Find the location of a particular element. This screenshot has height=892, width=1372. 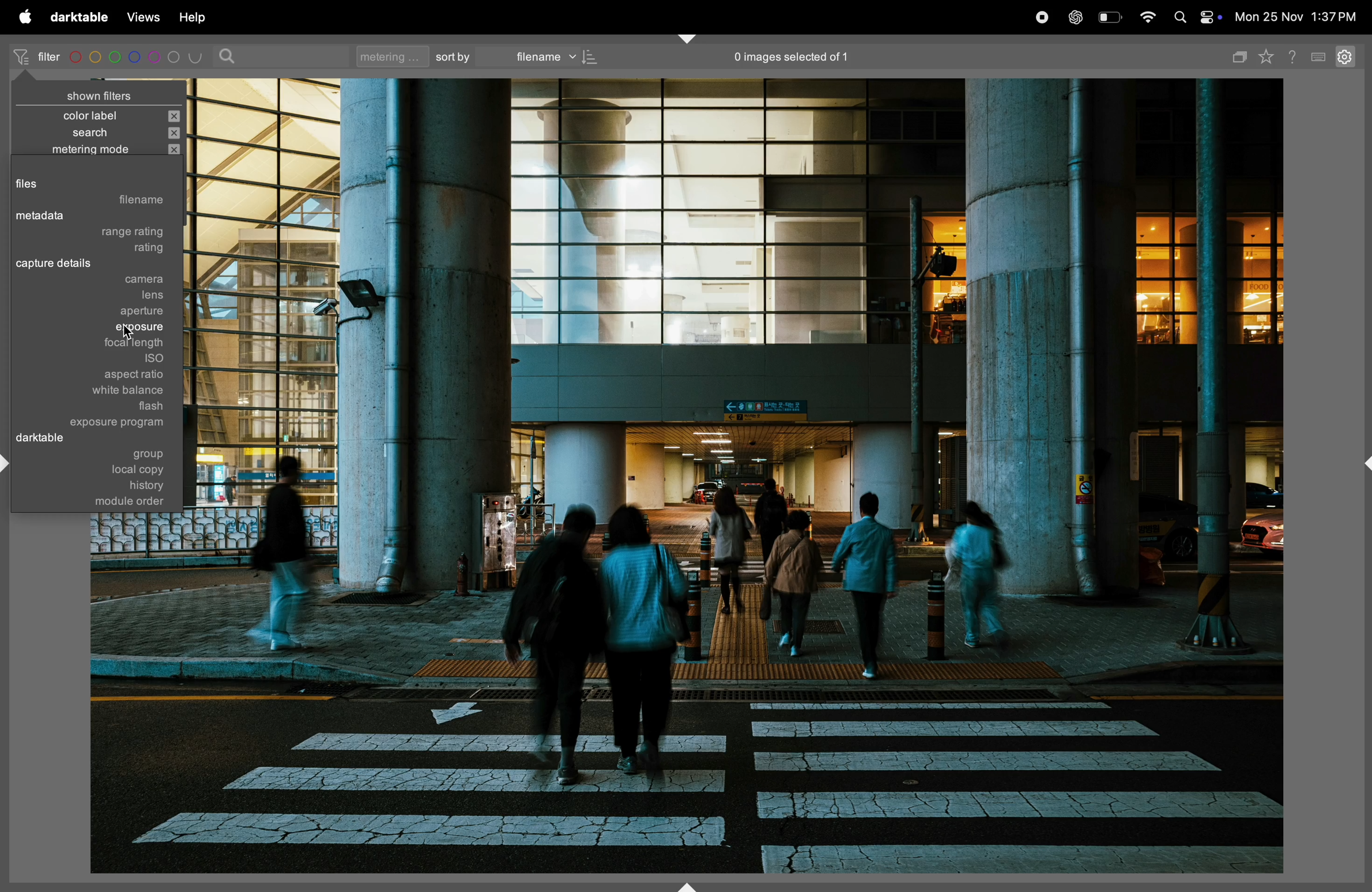

search is located at coordinates (229, 56).